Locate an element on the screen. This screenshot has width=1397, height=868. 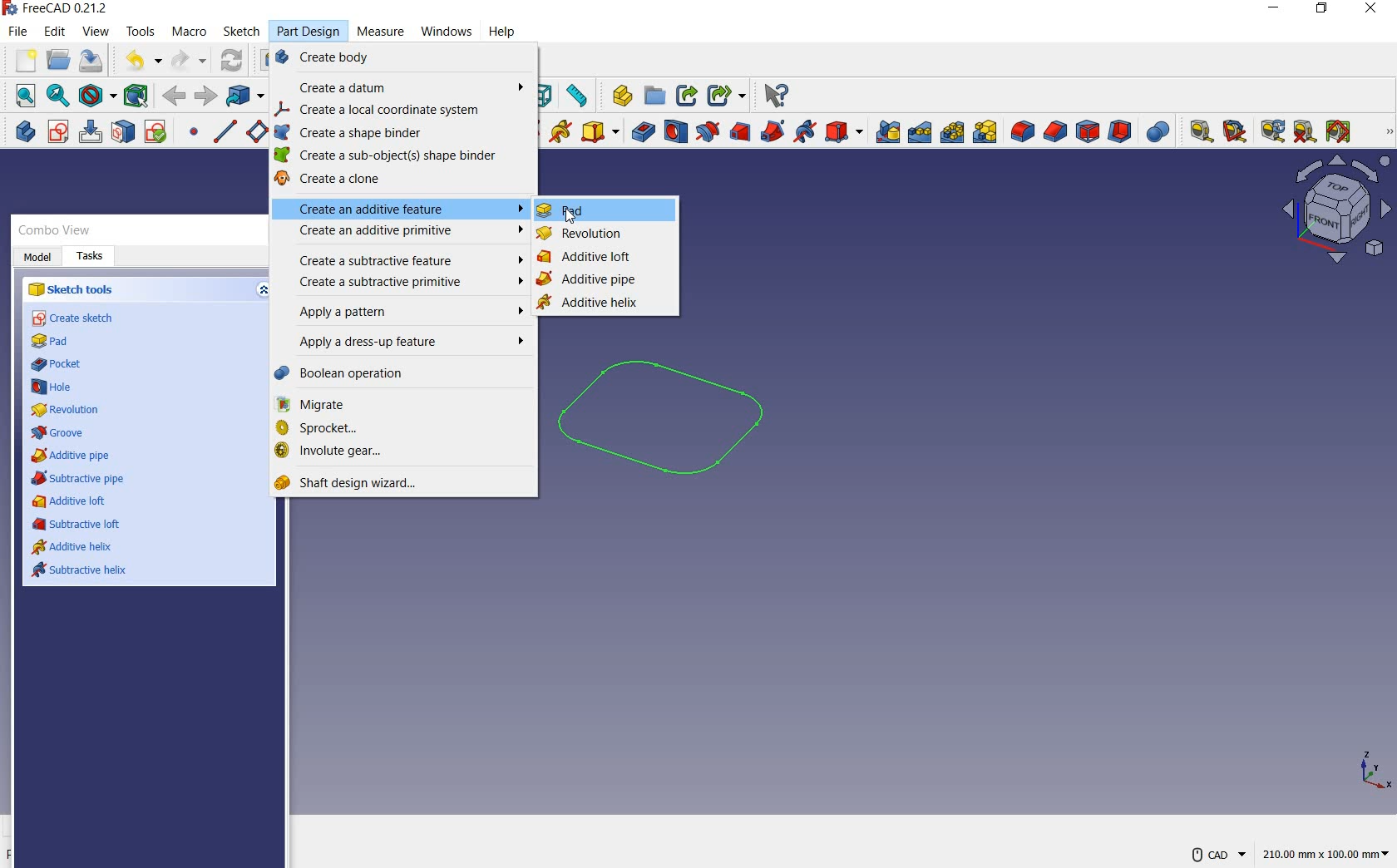
sketch is located at coordinates (241, 32).